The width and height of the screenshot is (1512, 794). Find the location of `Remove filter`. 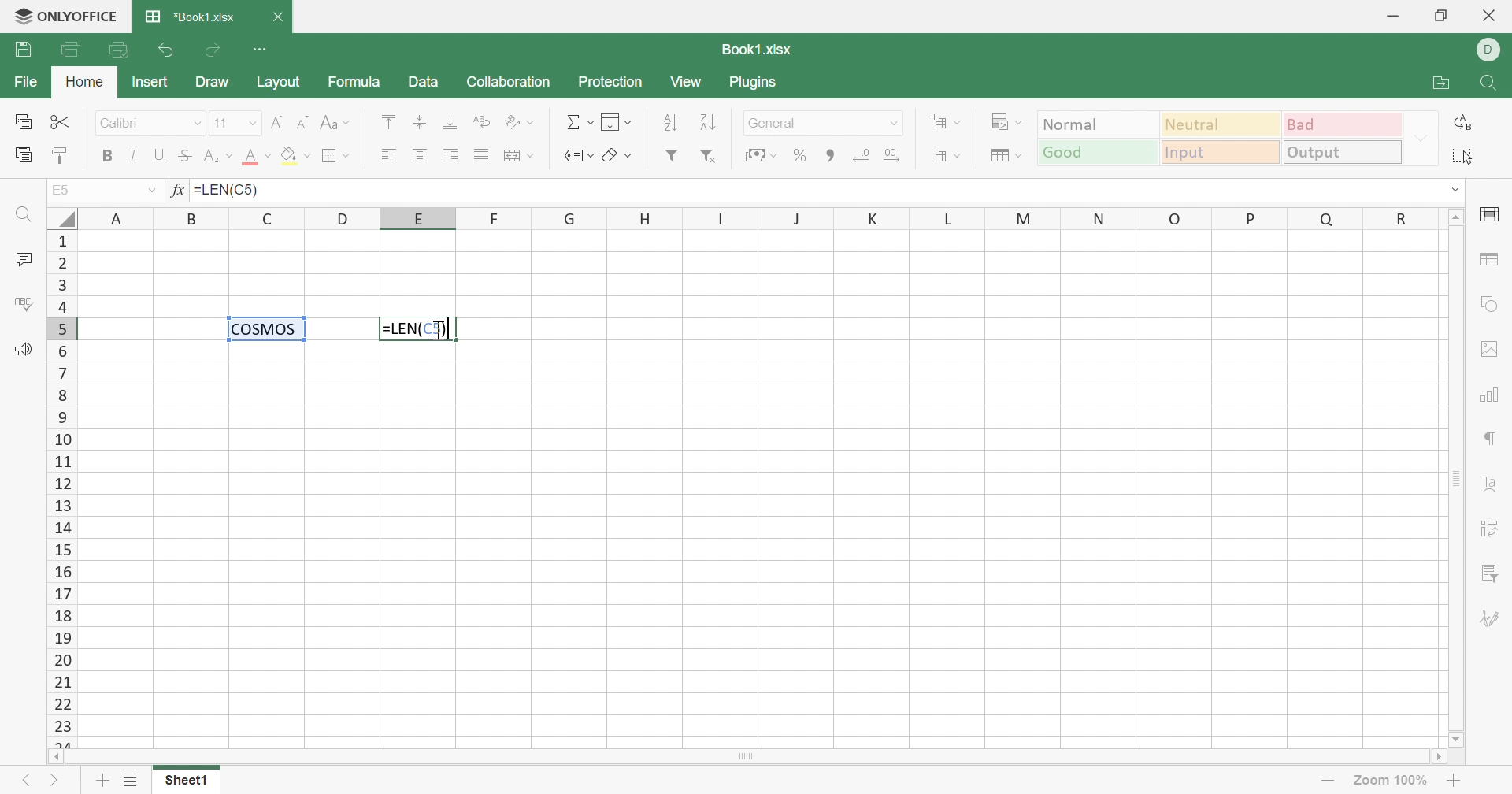

Remove filter is located at coordinates (710, 157).